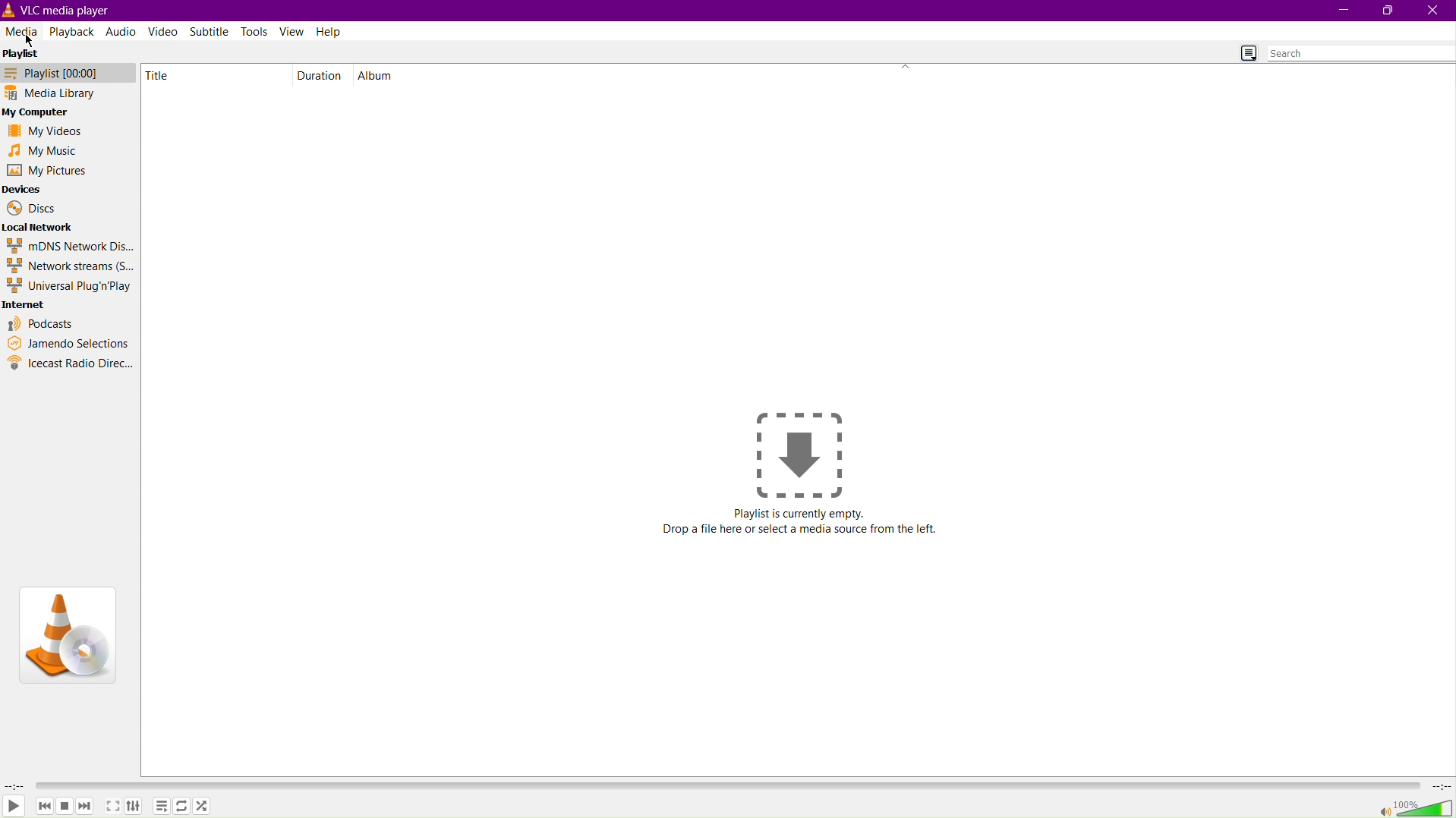 The image size is (1456, 818). What do you see at coordinates (68, 75) in the screenshot?
I see `Playlist` at bounding box center [68, 75].